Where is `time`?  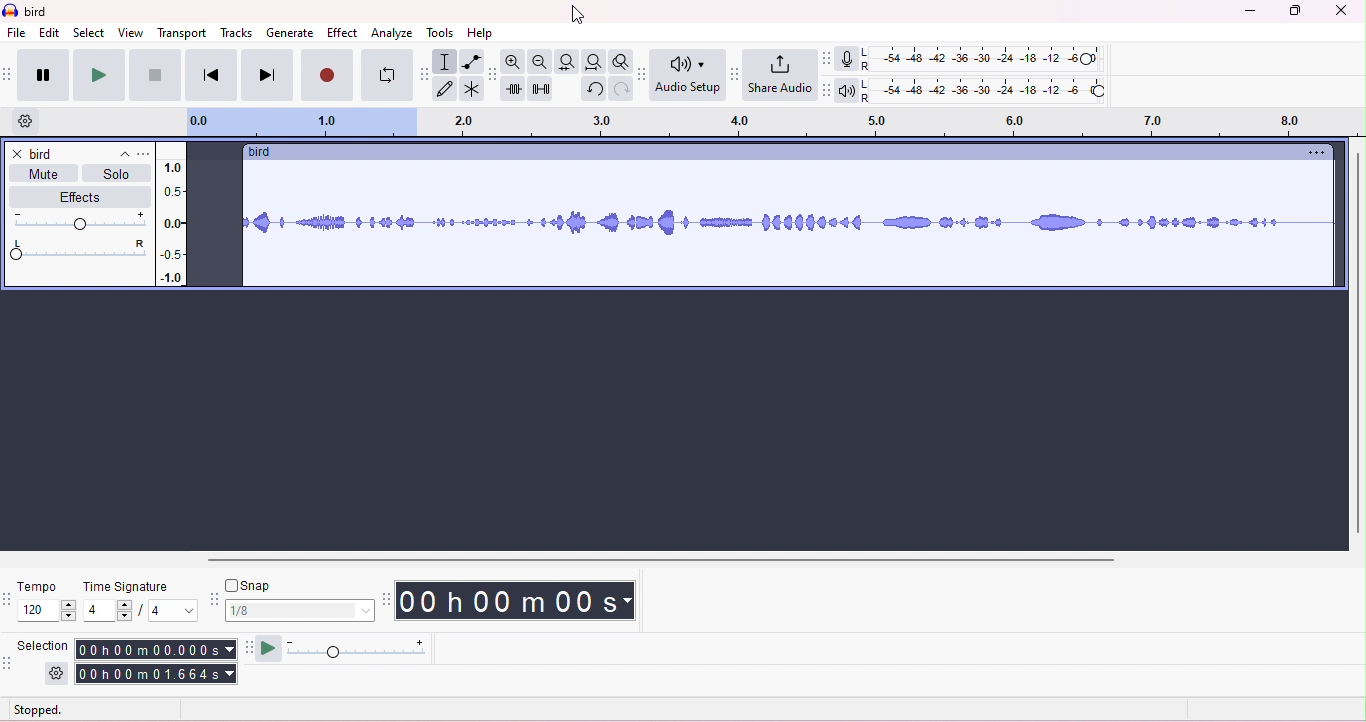
time is located at coordinates (523, 600).